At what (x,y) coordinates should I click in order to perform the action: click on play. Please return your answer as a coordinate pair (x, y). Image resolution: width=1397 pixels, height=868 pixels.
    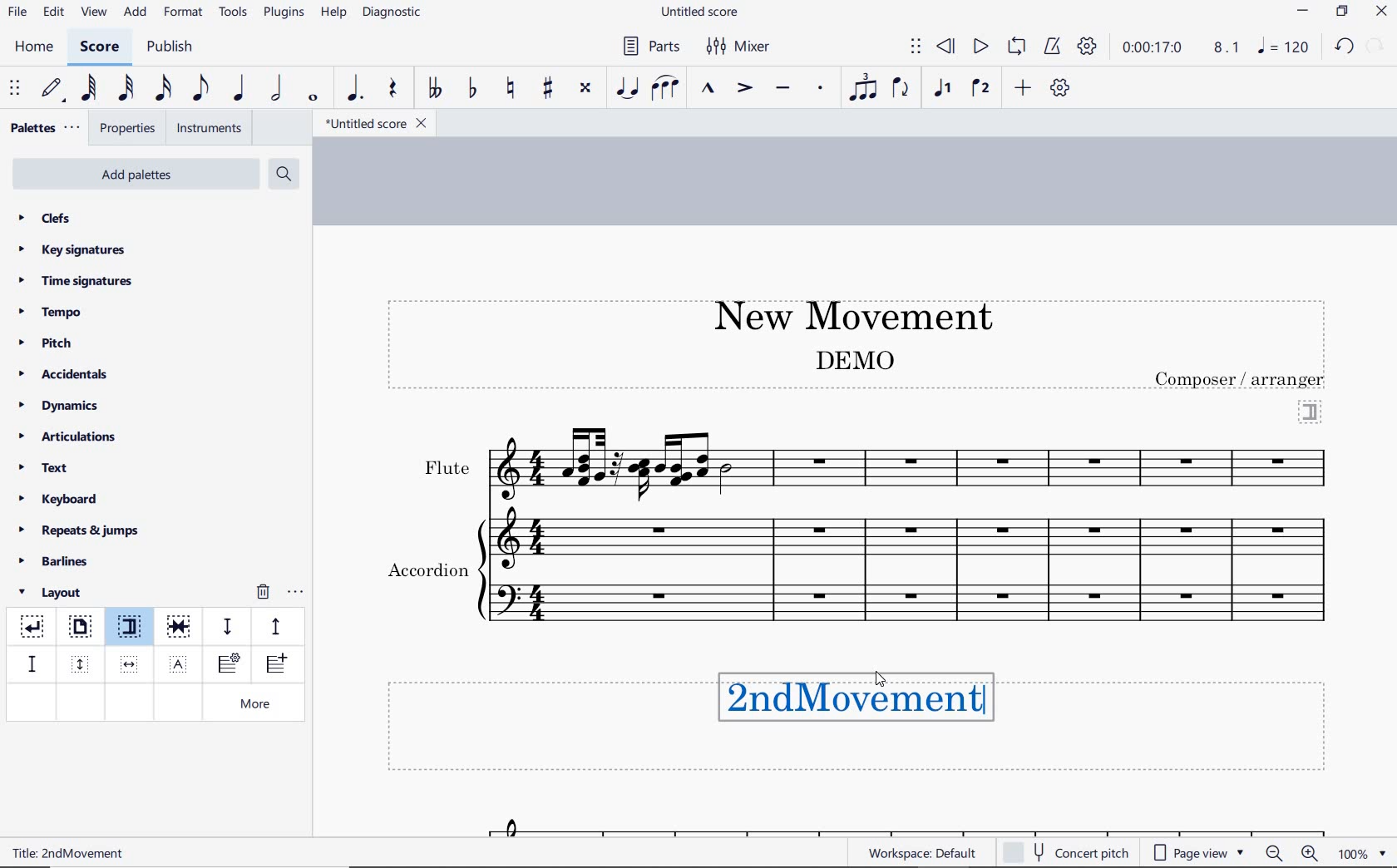
    Looking at the image, I should click on (979, 48).